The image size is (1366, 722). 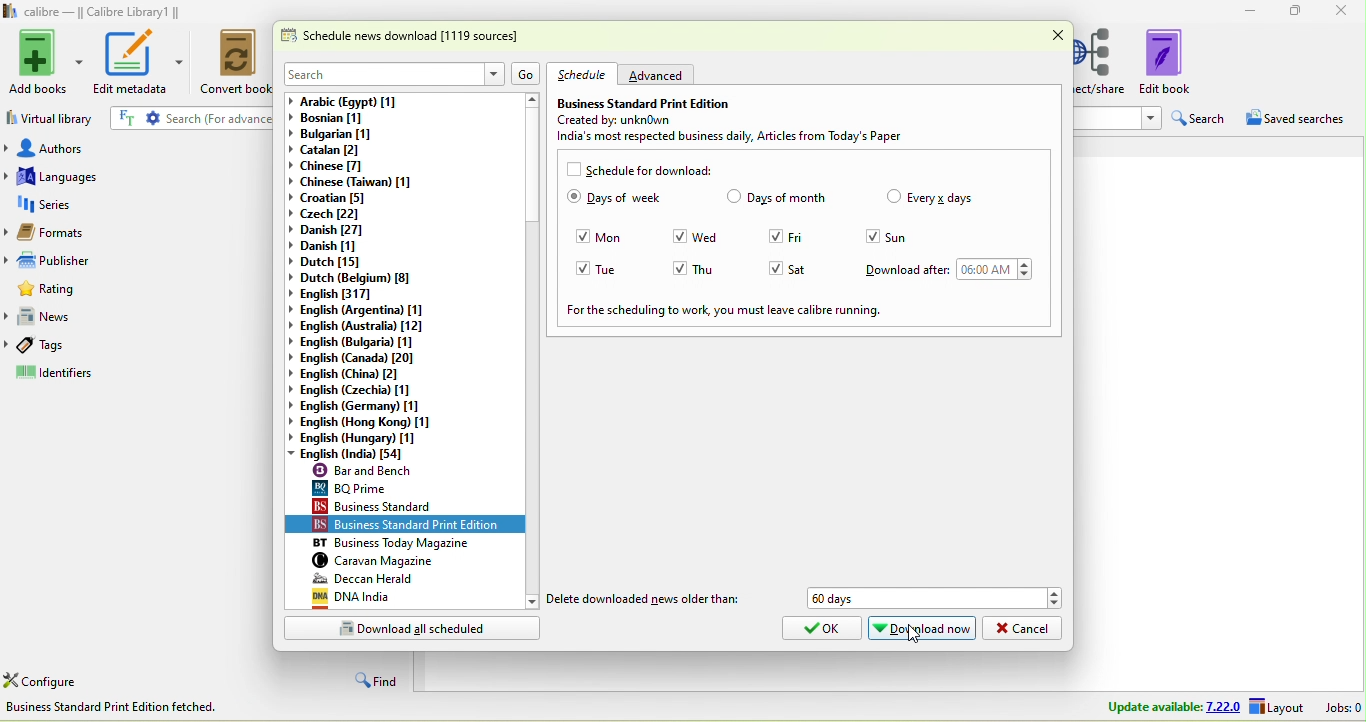 I want to click on edit metadata, so click(x=129, y=62).